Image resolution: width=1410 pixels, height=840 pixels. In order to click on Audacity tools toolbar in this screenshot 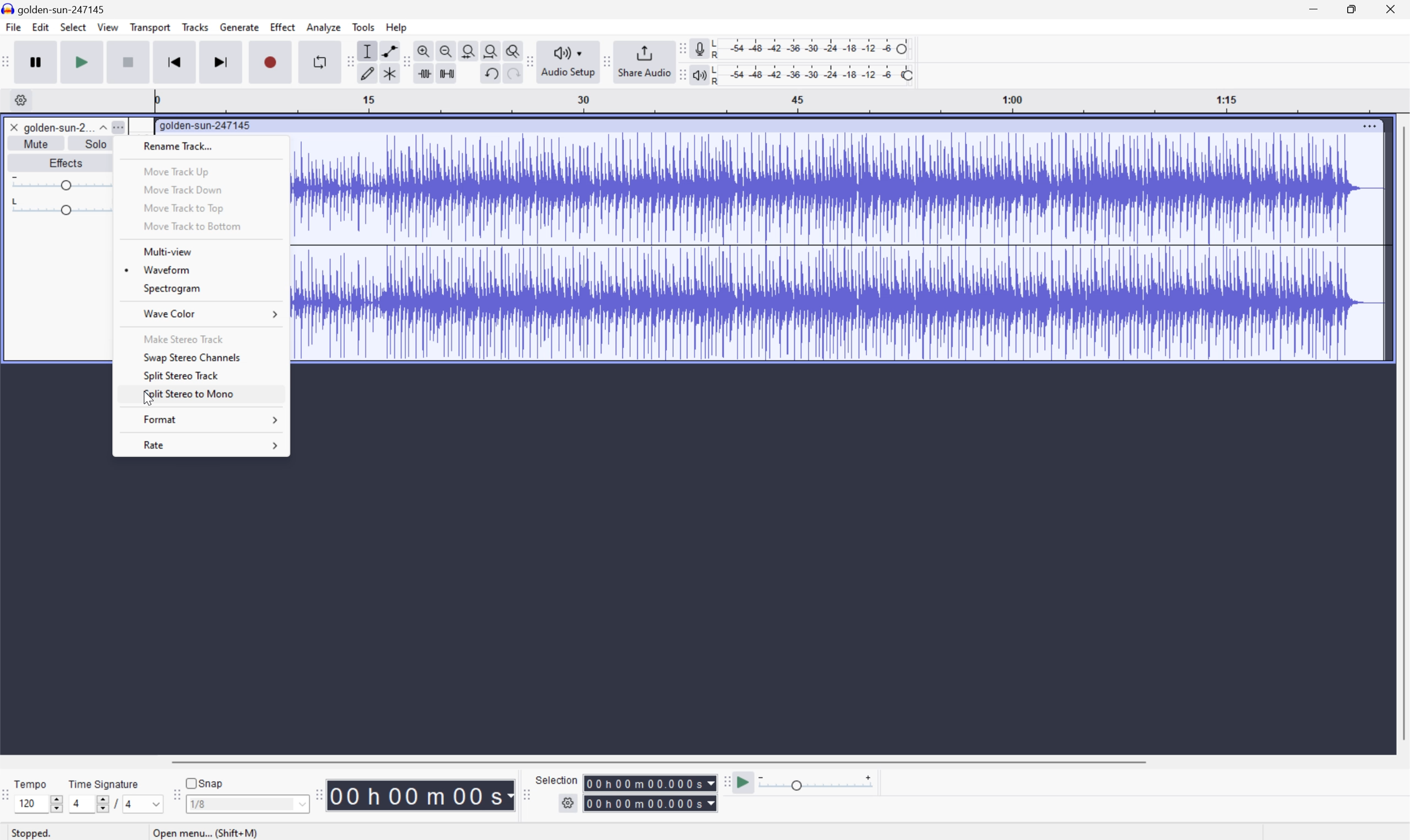, I will do `click(350, 61)`.